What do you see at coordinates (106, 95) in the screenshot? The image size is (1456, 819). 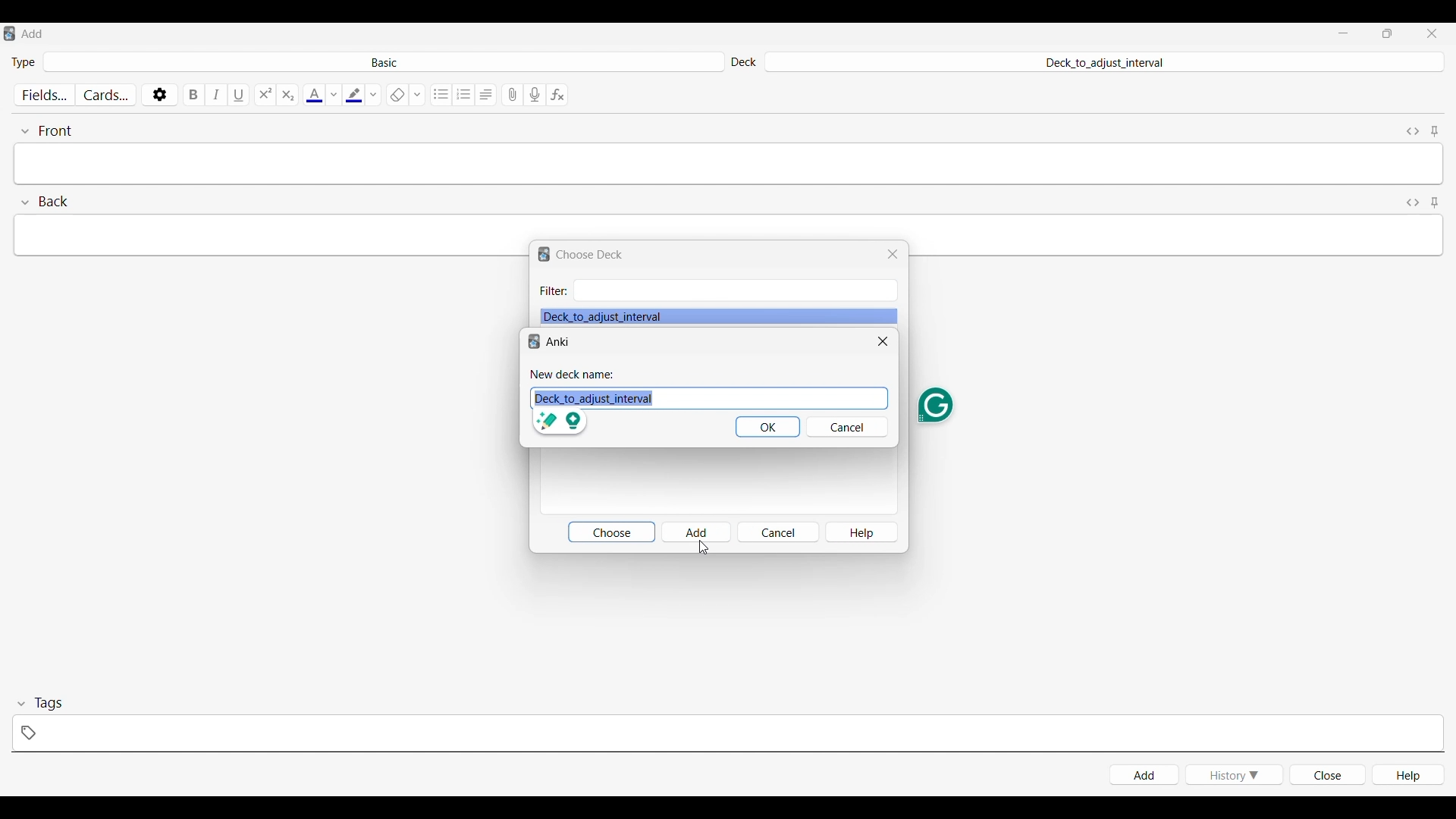 I see `Customize cards` at bounding box center [106, 95].